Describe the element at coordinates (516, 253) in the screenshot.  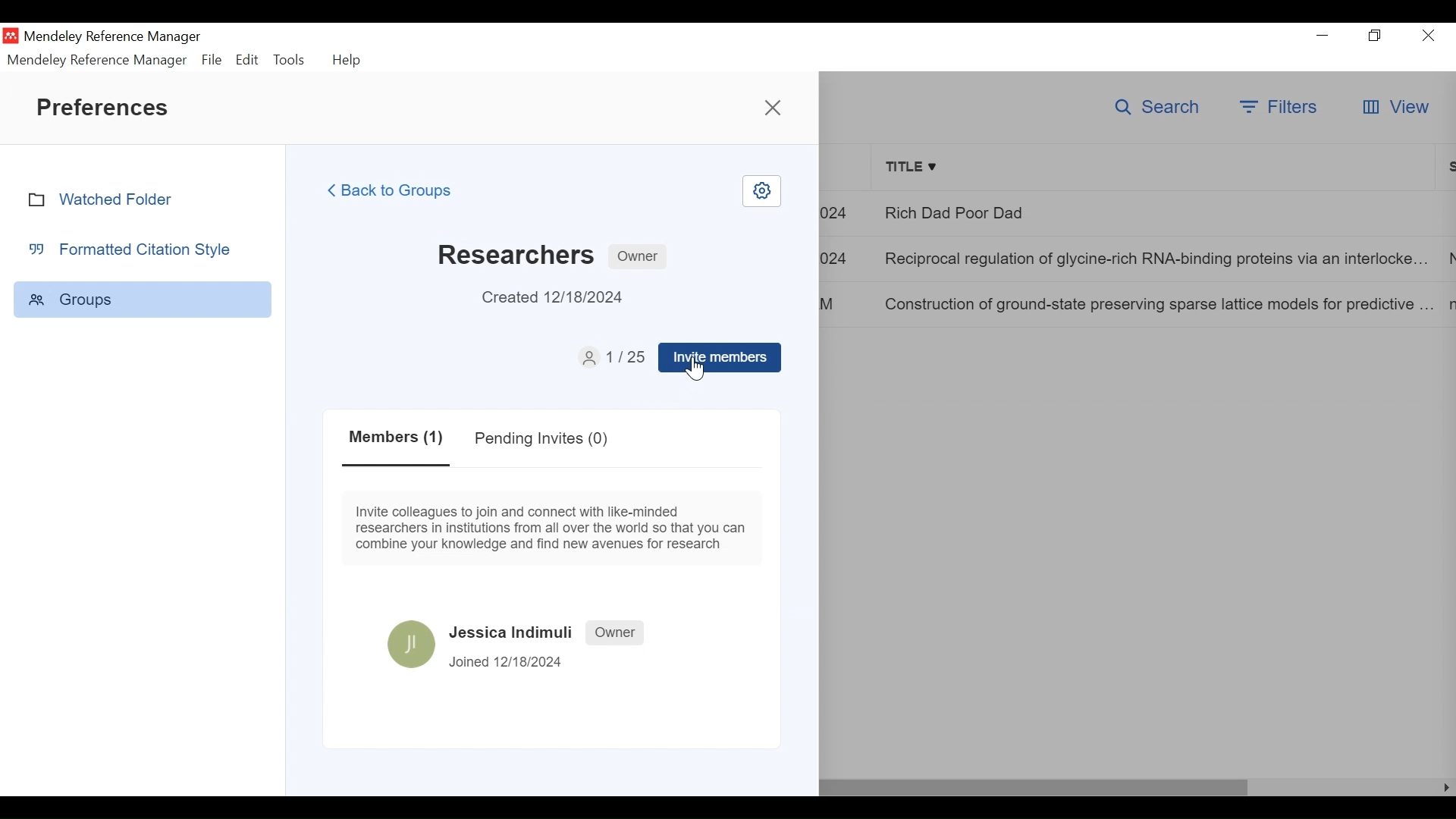
I see `Researchers` at that location.